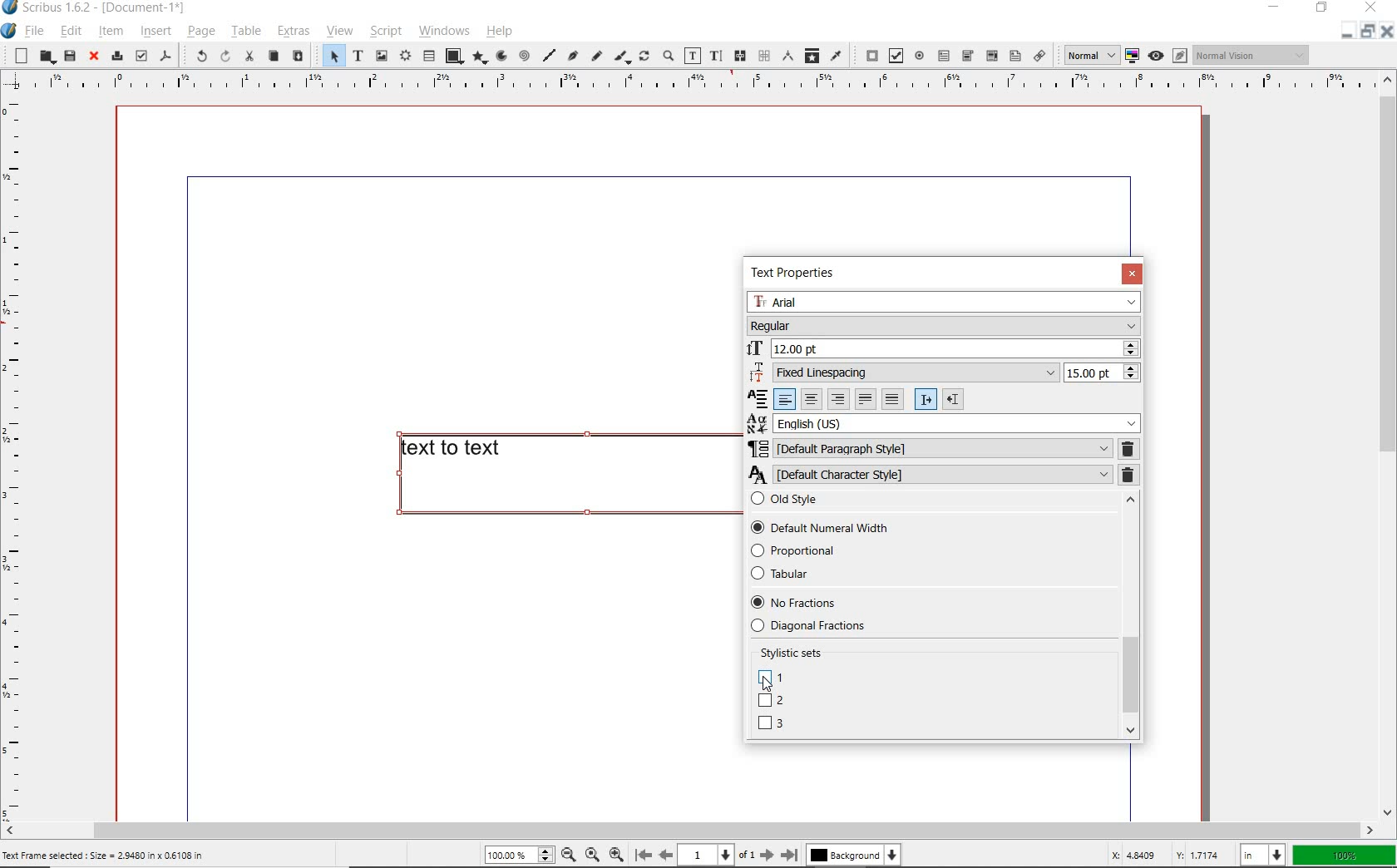  What do you see at coordinates (383, 56) in the screenshot?
I see `image frame` at bounding box center [383, 56].